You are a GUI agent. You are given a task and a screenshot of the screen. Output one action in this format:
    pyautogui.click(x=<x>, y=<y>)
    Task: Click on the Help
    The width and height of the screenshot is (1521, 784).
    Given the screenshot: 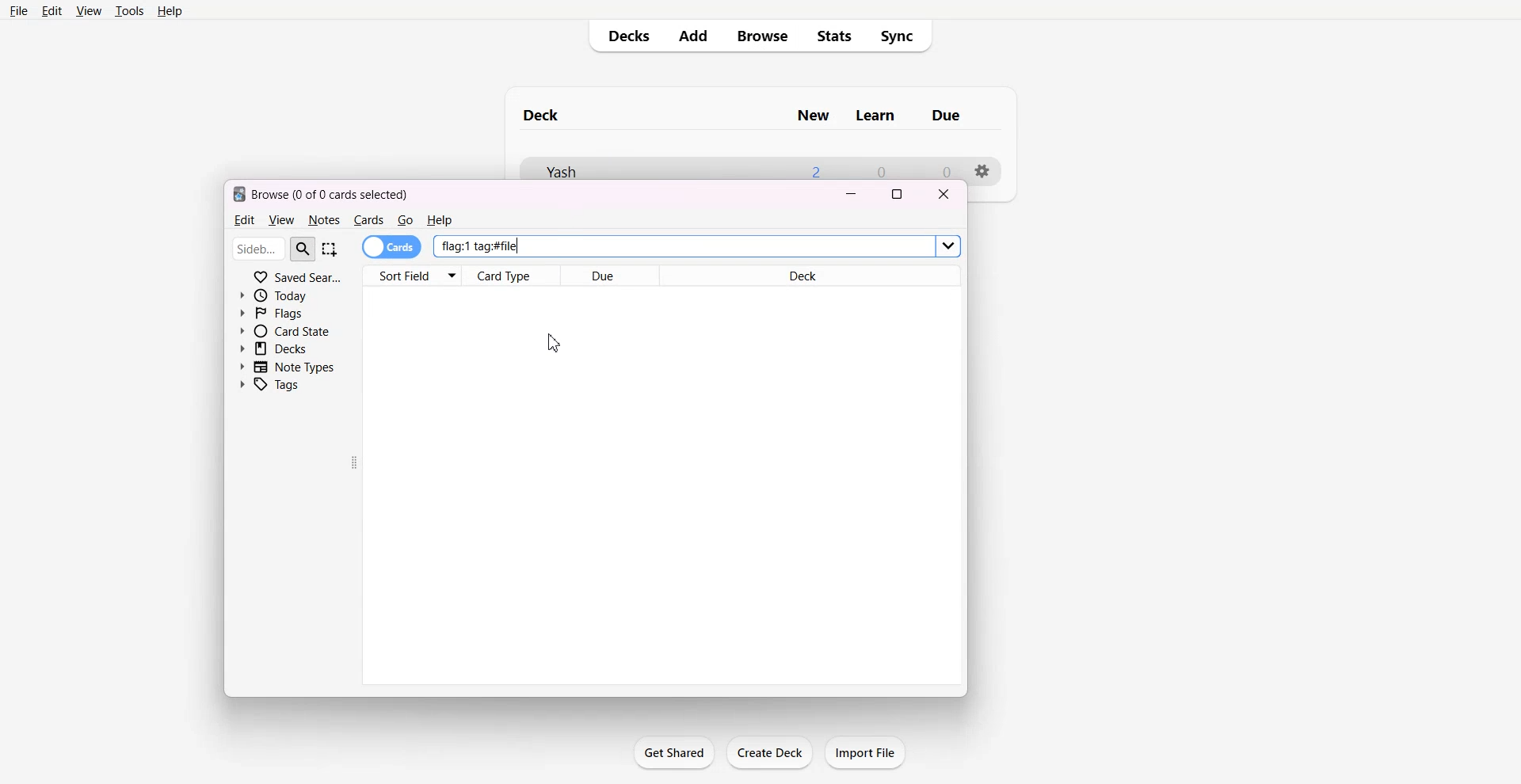 What is the action you would take?
    pyautogui.click(x=170, y=10)
    